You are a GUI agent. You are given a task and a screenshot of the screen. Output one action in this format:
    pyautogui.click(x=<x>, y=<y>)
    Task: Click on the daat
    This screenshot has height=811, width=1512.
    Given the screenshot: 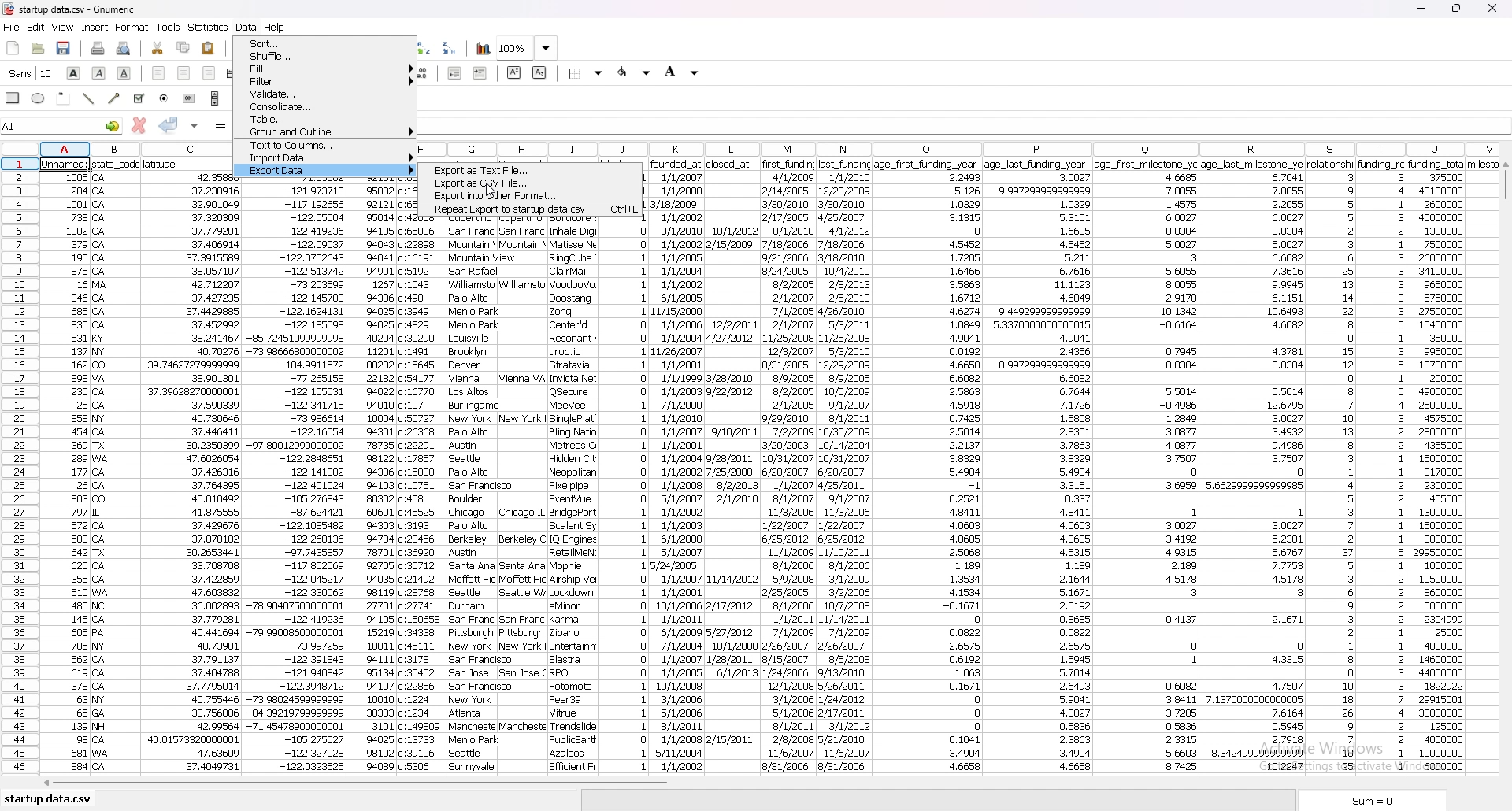 What is the action you would take?
    pyautogui.click(x=422, y=495)
    